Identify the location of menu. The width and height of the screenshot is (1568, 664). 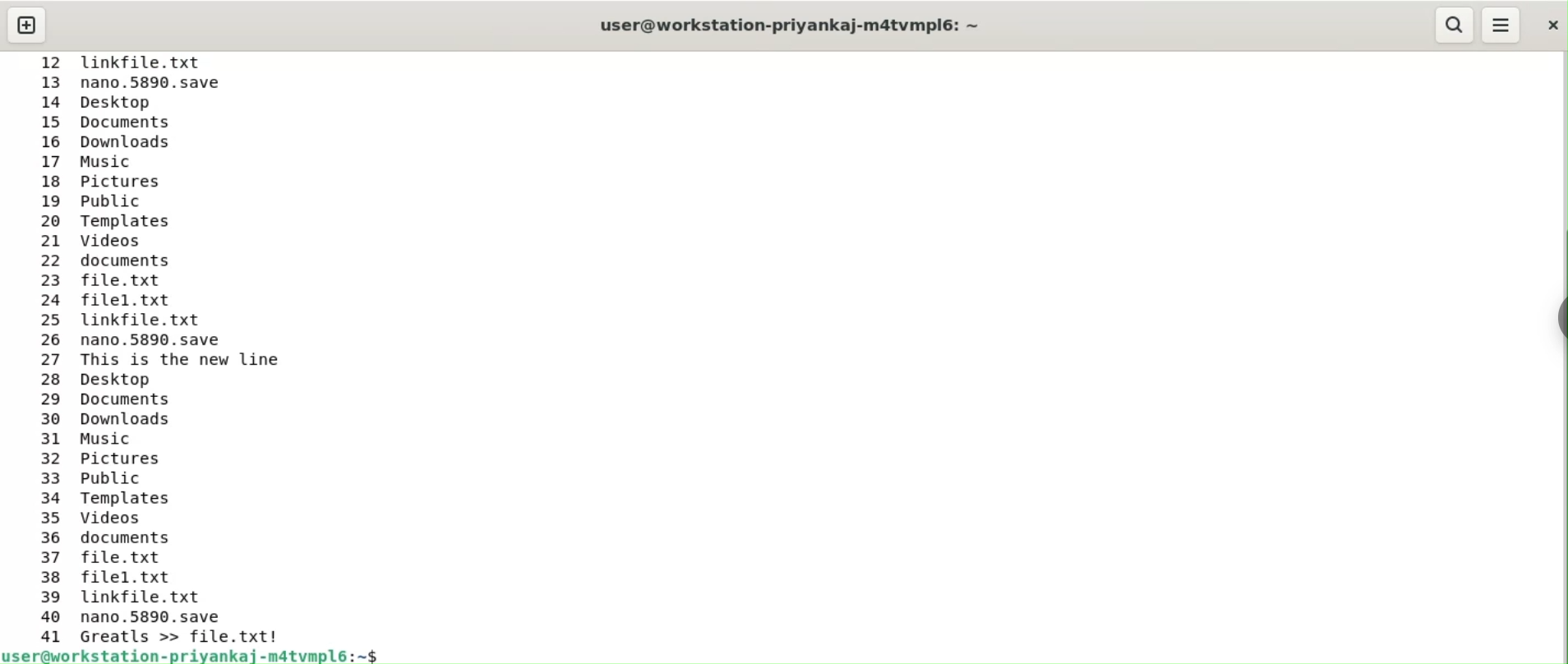
(1501, 25).